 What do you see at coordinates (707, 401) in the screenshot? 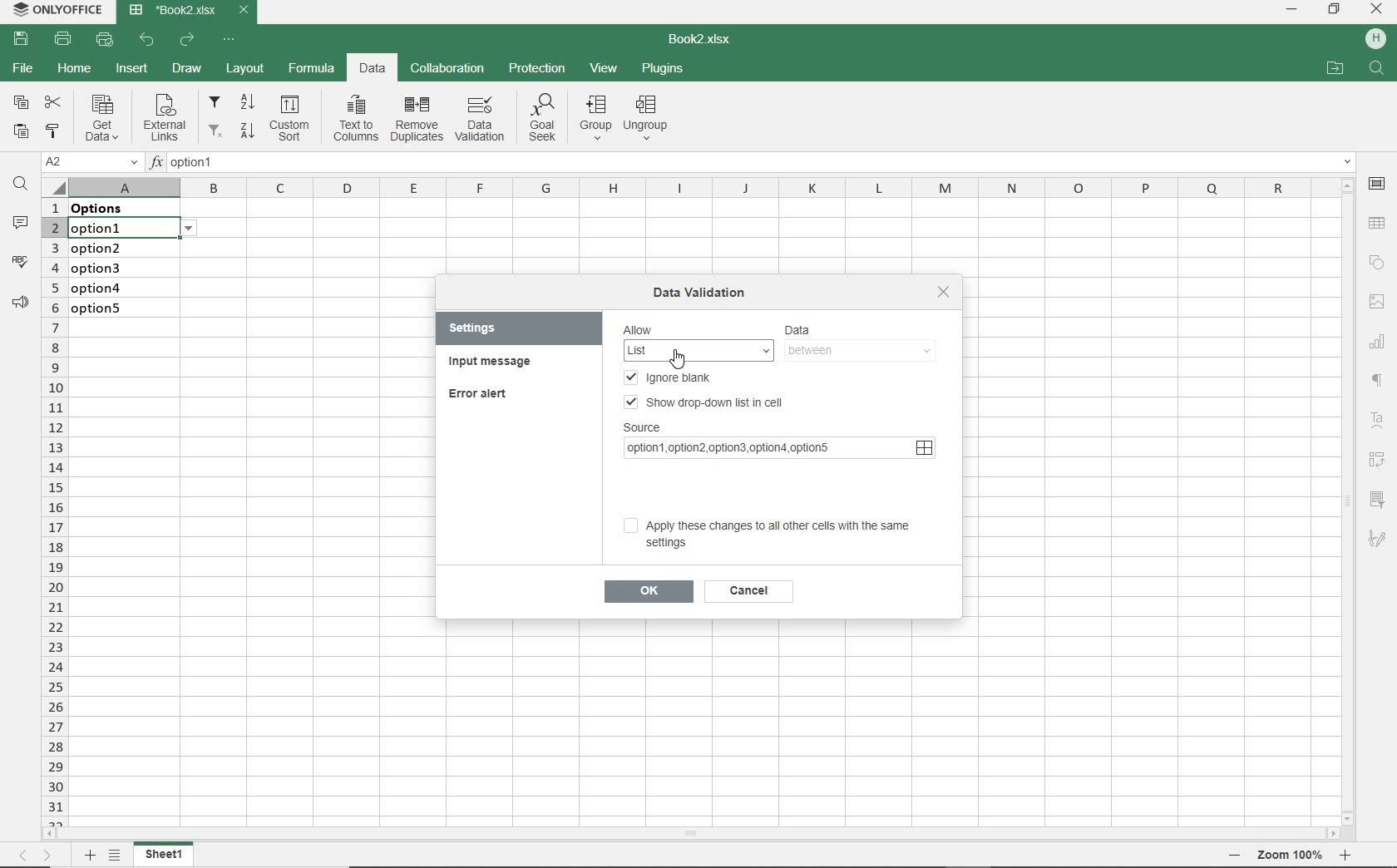
I see `SHOW DROP-DOWN LIST IN CELL` at bounding box center [707, 401].